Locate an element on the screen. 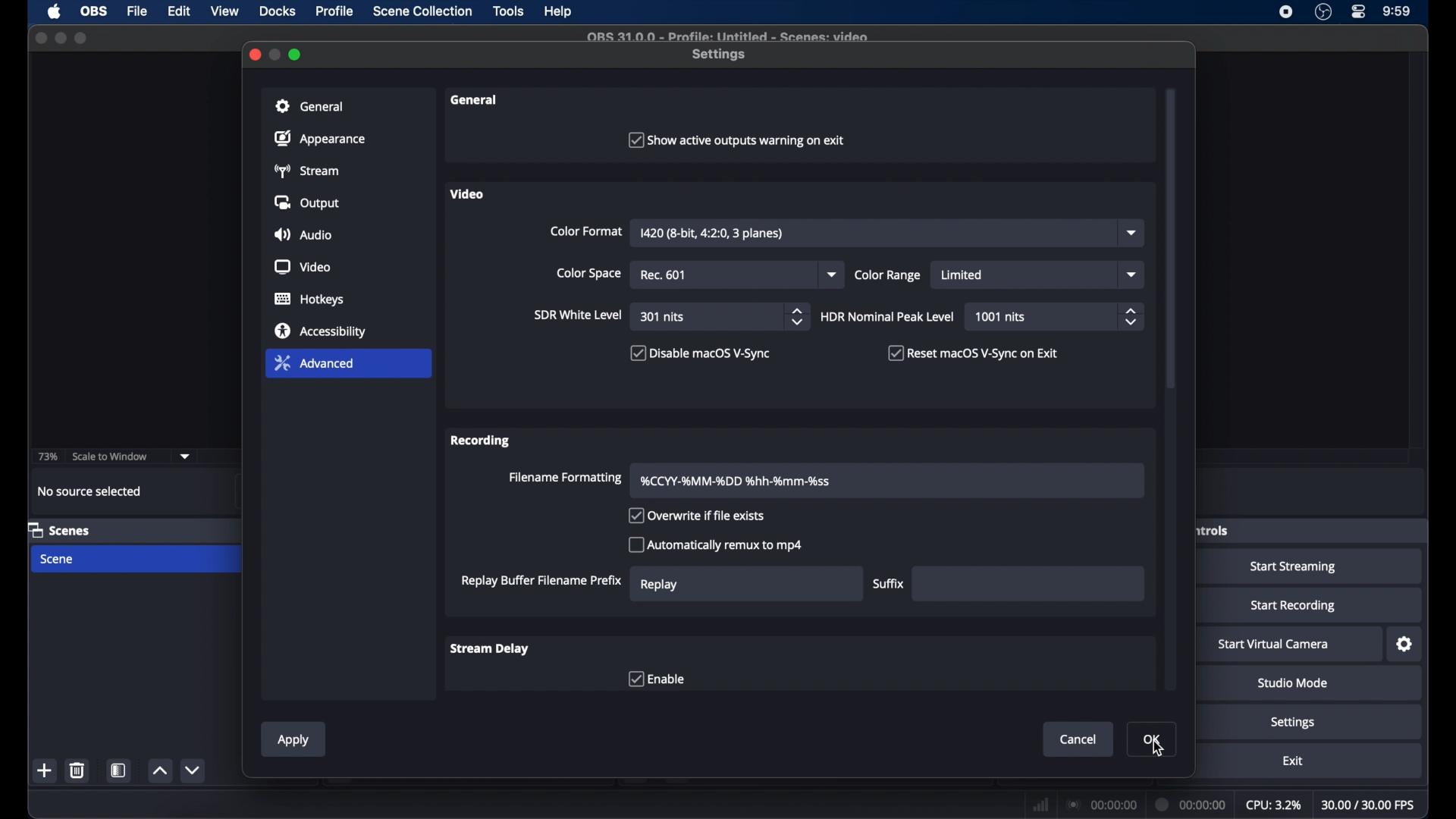  decrement is located at coordinates (194, 770).